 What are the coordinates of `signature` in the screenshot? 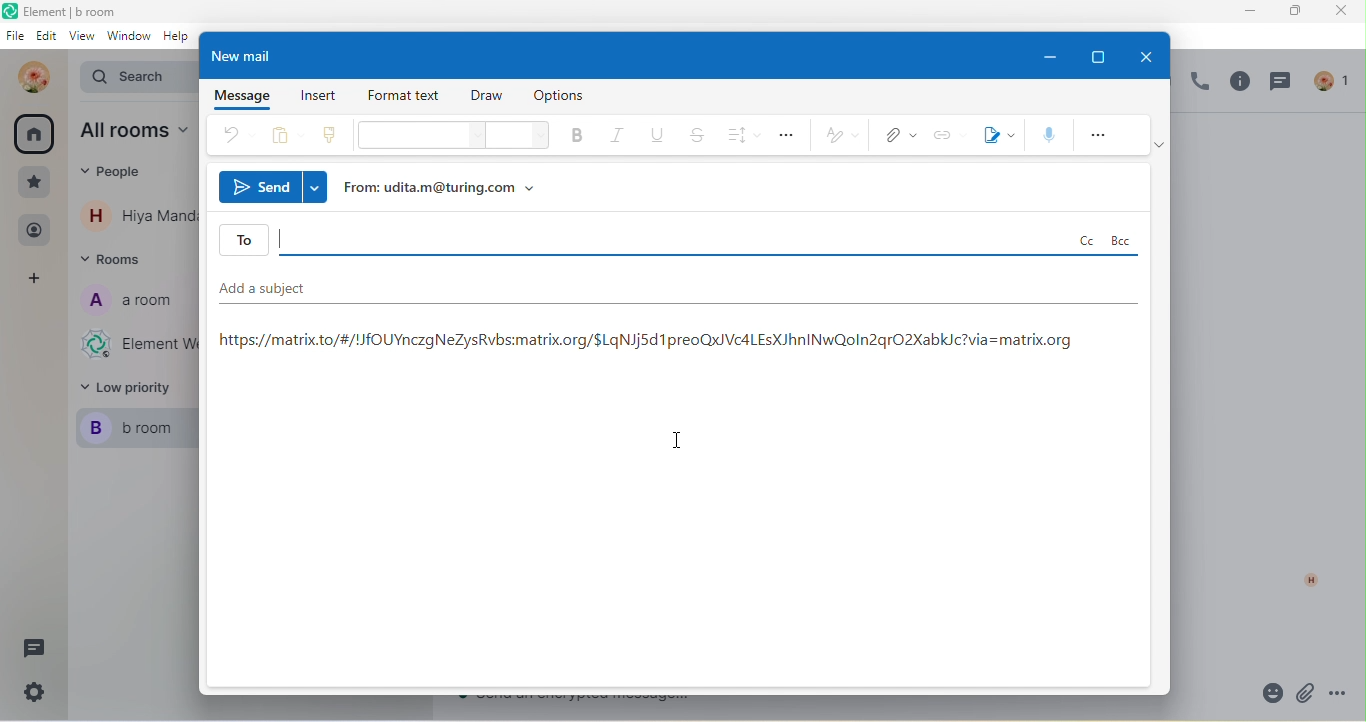 It's located at (996, 136).